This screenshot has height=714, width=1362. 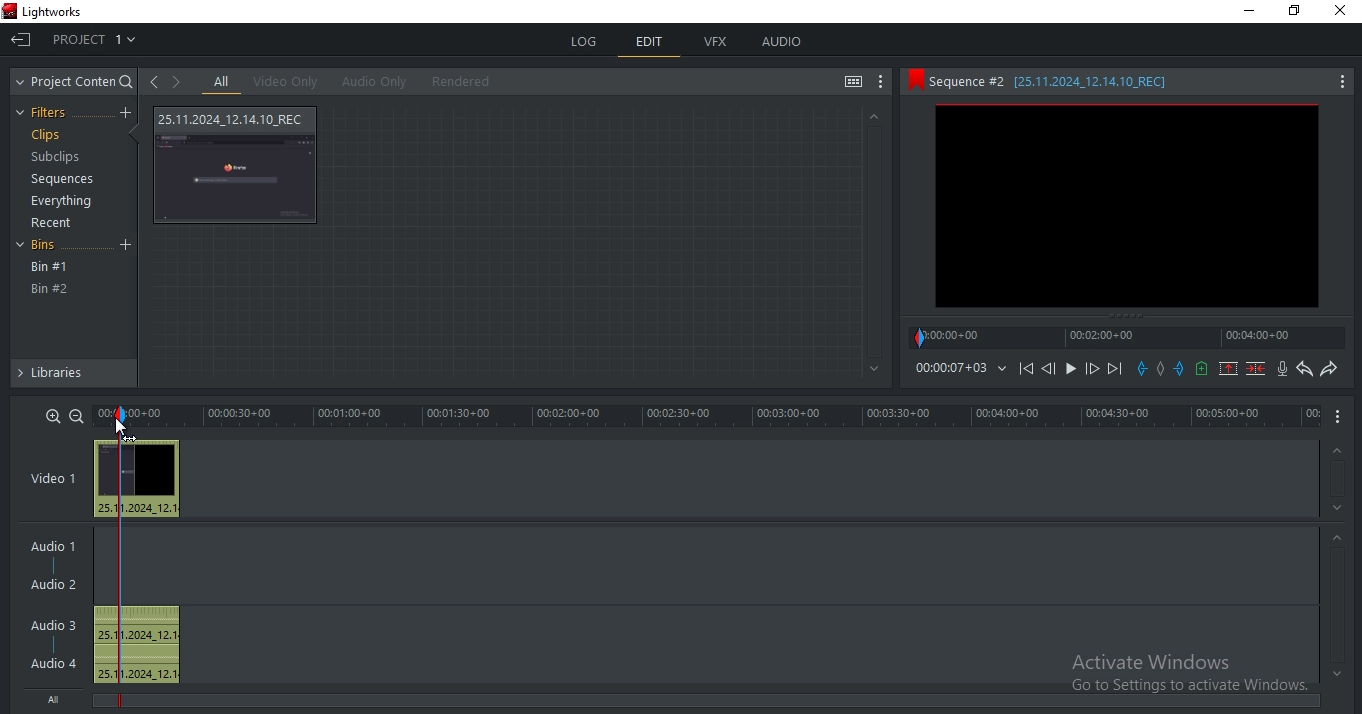 What do you see at coordinates (61, 585) in the screenshot?
I see `Audio 2` at bounding box center [61, 585].